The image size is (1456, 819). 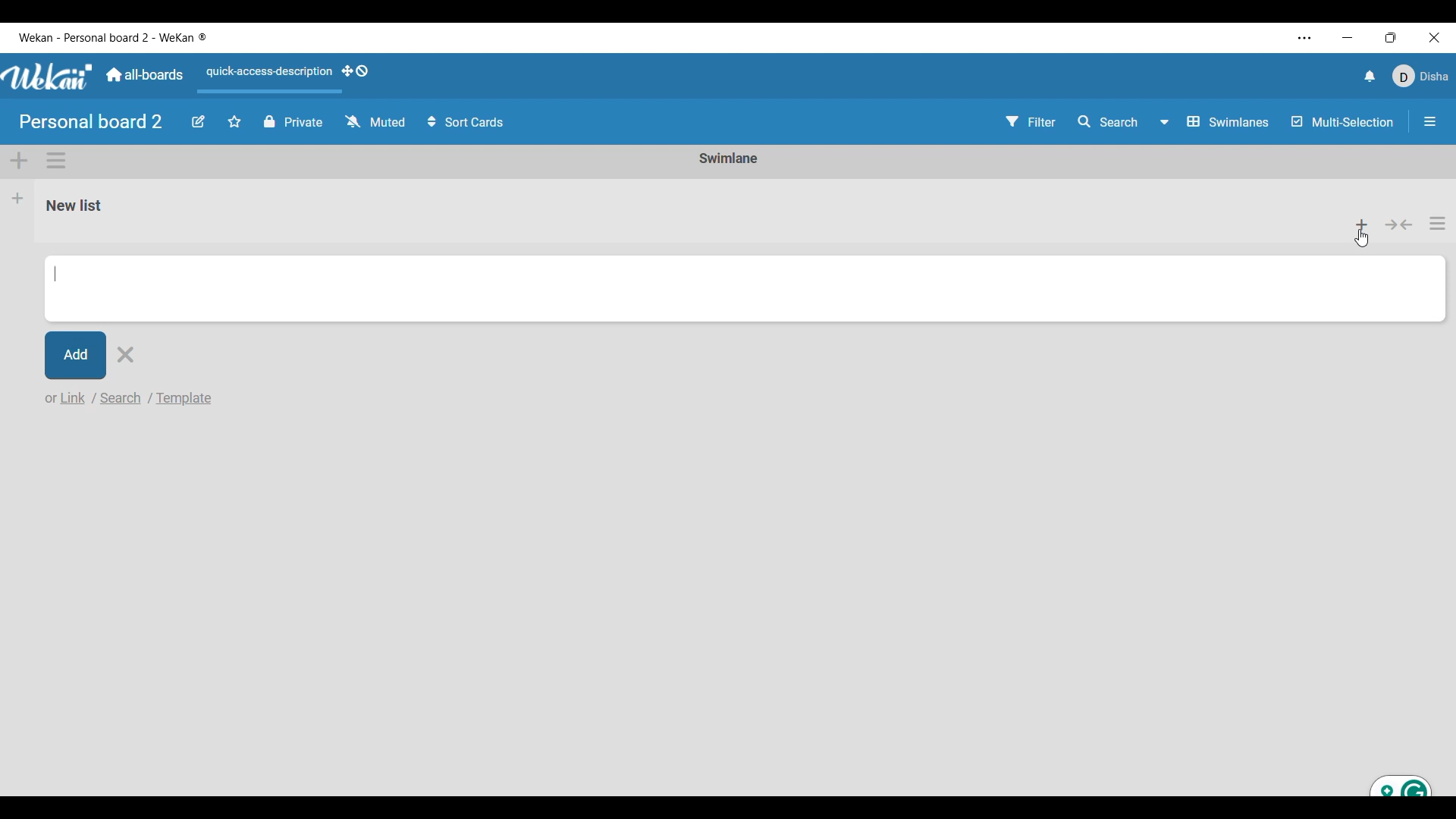 I want to click on Edit, so click(x=199, y=122).